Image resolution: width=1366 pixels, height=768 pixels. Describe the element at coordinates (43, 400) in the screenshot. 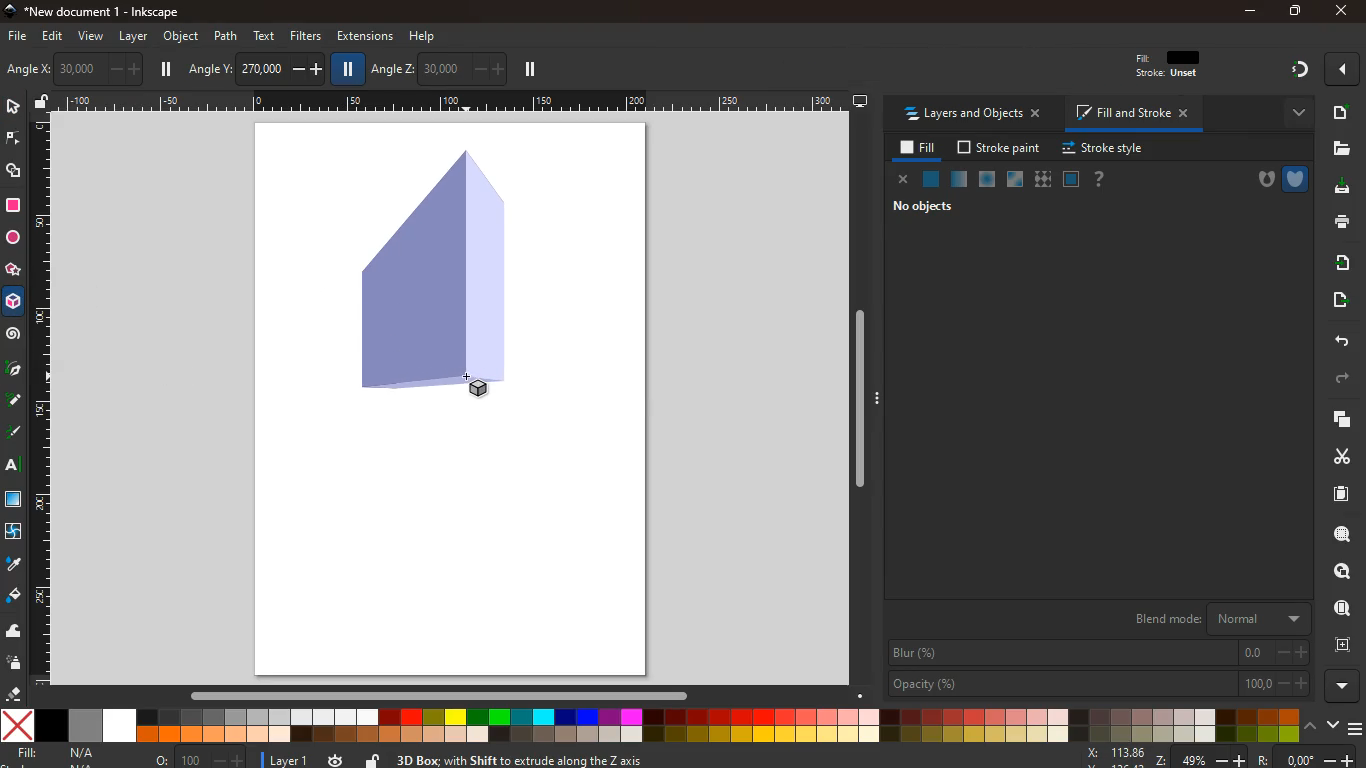

I see `Scale` at that location.